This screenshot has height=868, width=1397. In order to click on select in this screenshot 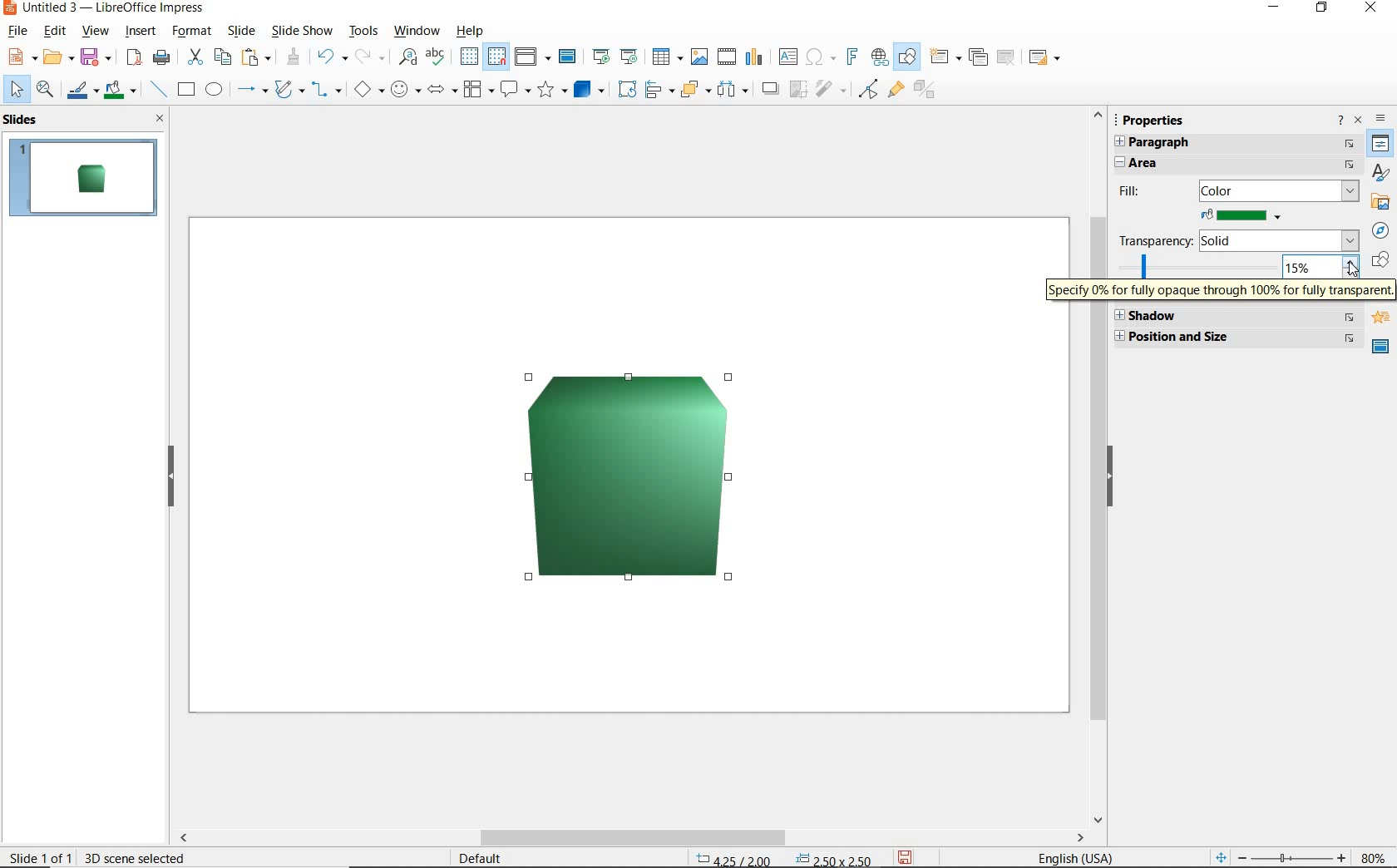, I will do `click(16, 90)`.